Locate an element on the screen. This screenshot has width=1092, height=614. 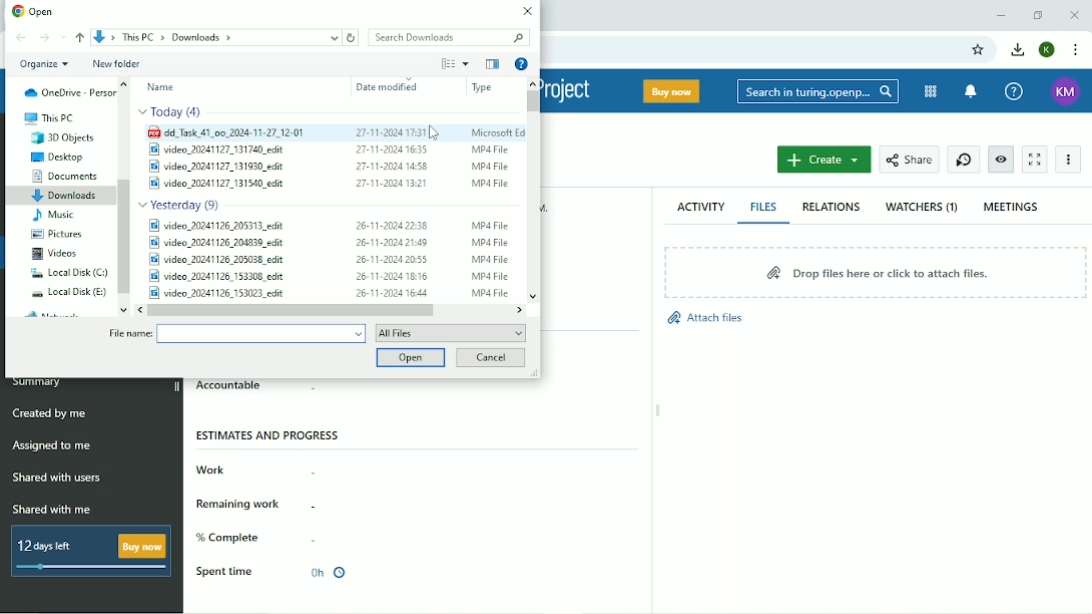
Assigned to me is located at coordinates (52, 445).